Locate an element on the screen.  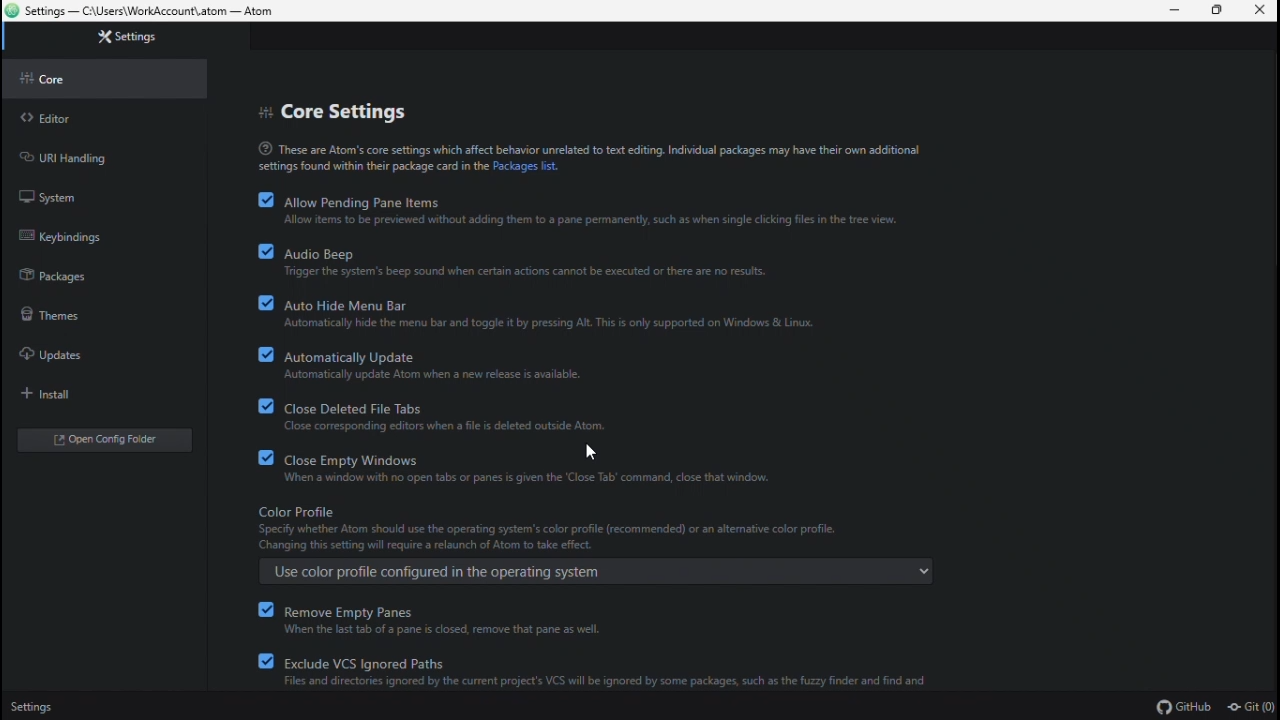
colour profile  is located at coordinates (599, 525).